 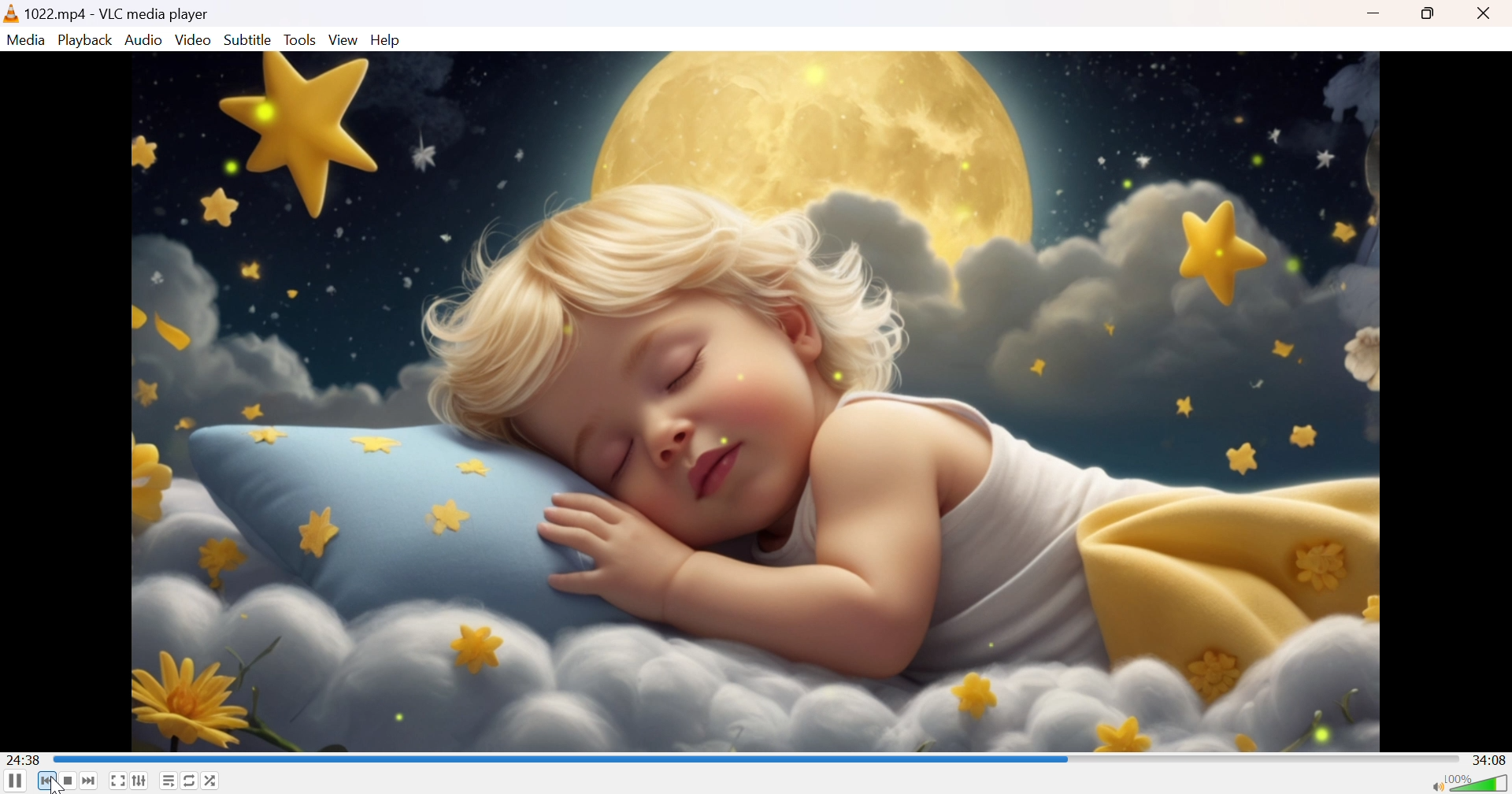 I want to click on Next media in the playlist, skip forward when held, so click(x=90, y=781).